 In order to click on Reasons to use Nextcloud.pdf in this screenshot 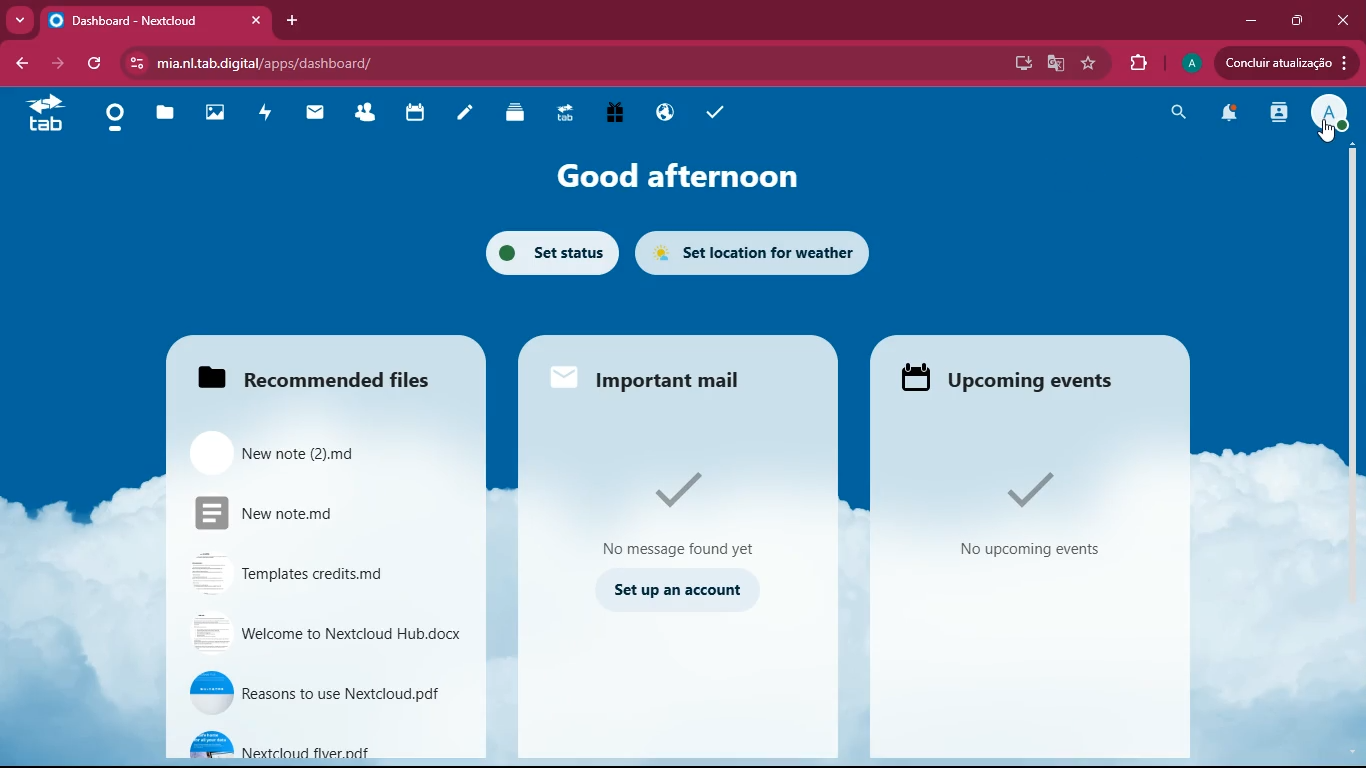, I will do `click(315, 696)`.